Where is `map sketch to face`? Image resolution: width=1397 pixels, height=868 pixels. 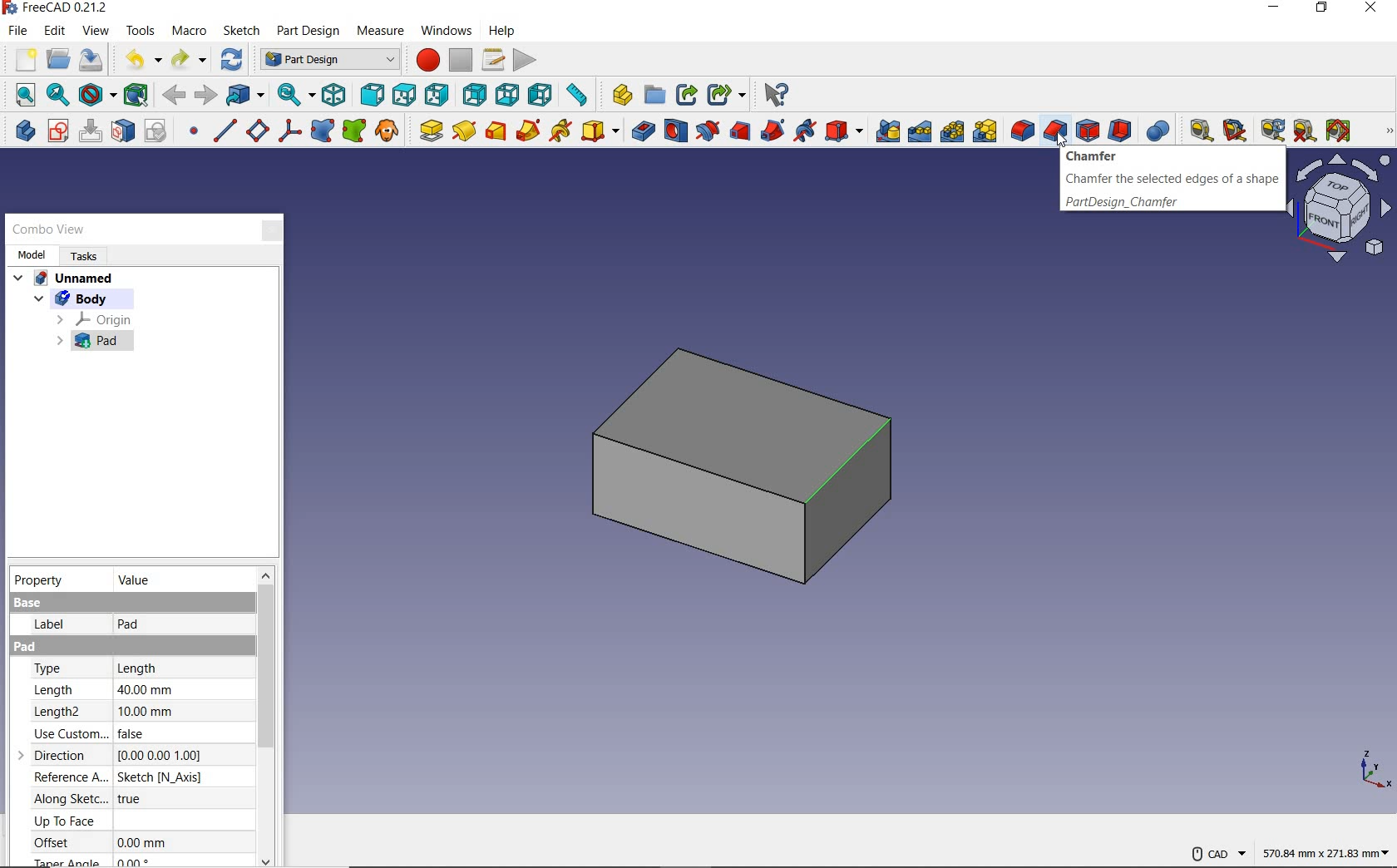
map sketch to face is located at coordinates (124, 133).